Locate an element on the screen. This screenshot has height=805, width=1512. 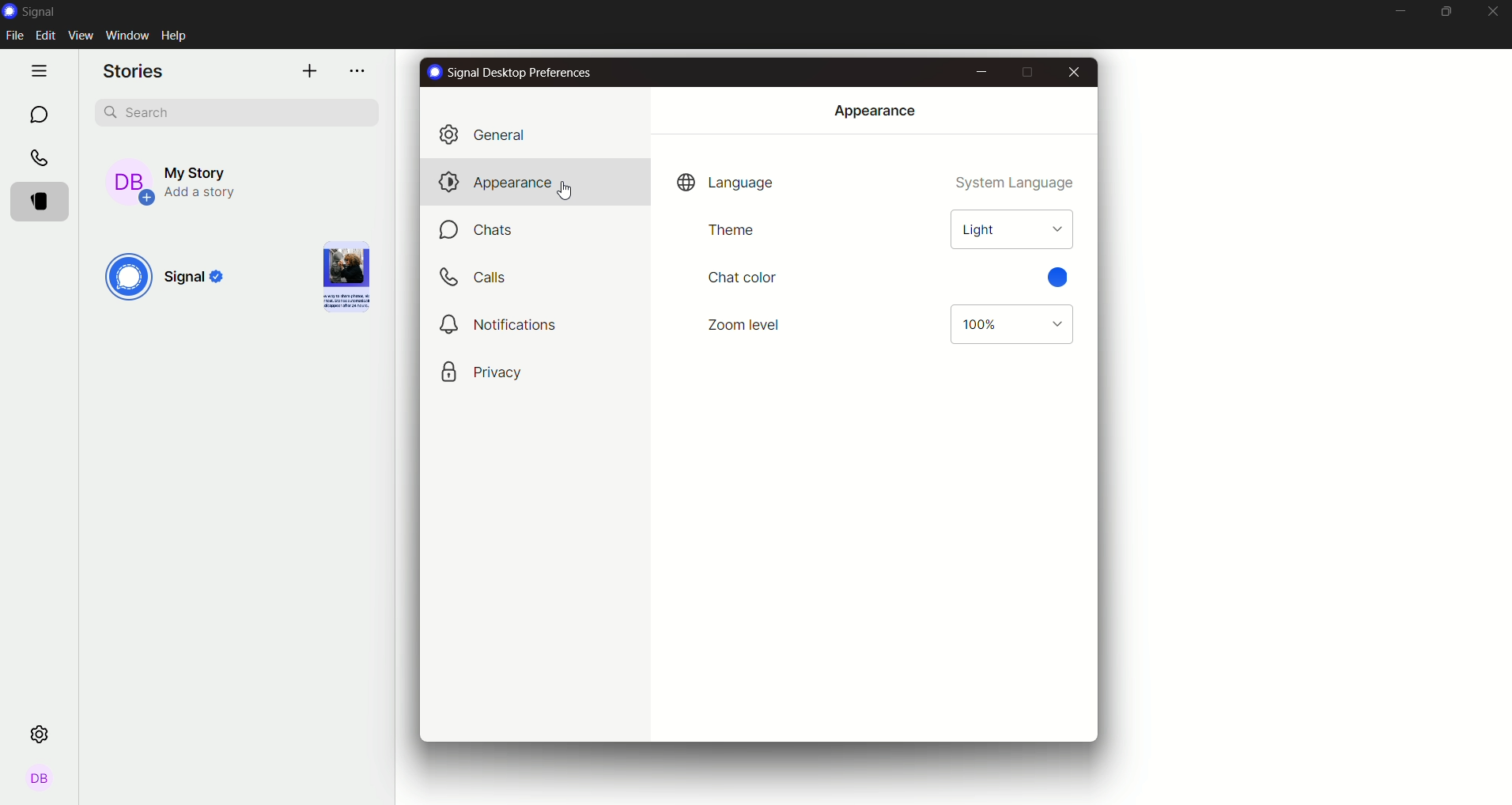
text is located at coordinates (512, 74).